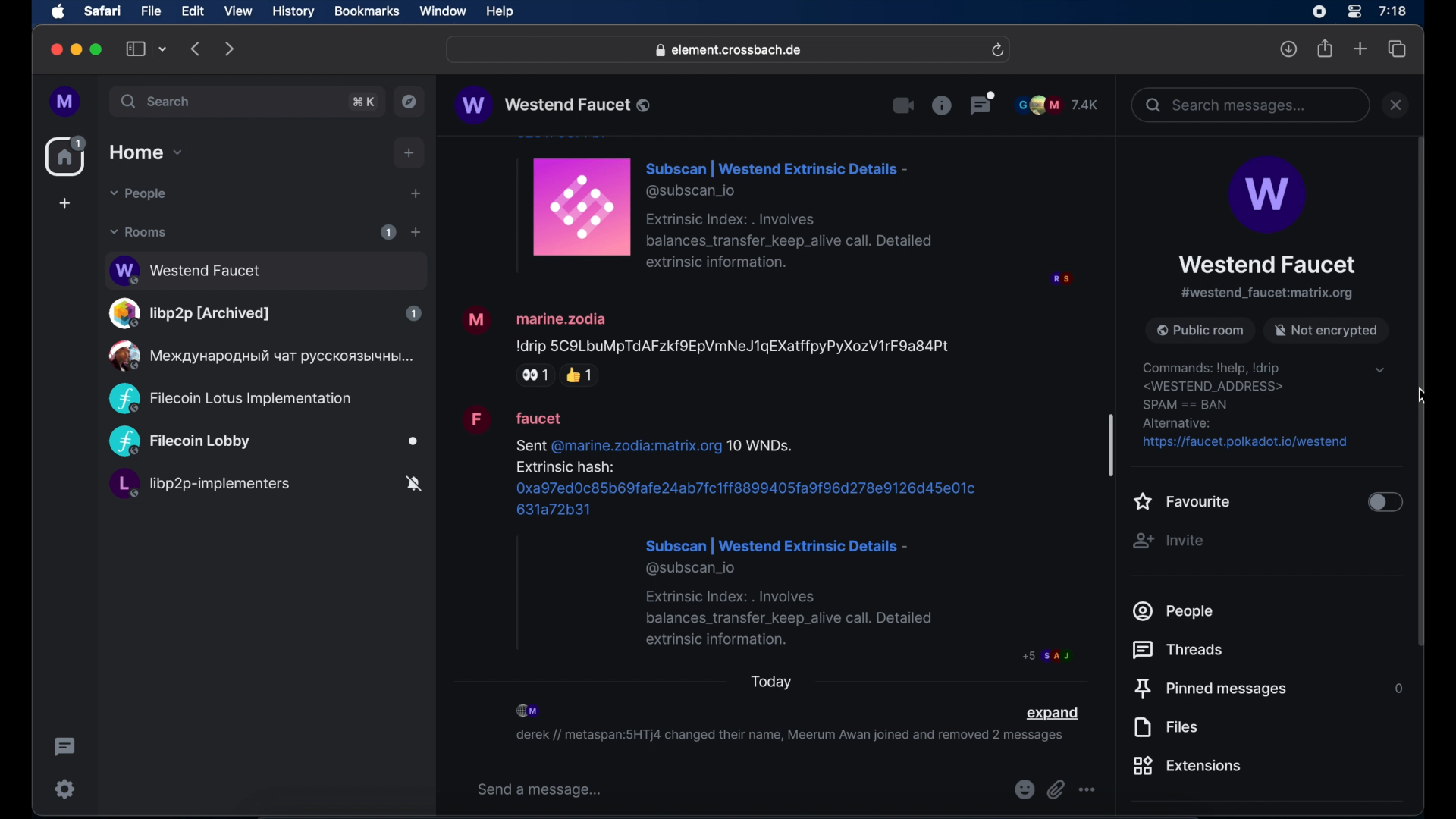 The image size is (1456, 819). What do you see at coordinates (1353, 12) in the screenshot?
I see `control center` at bounding box center [1353, 12].